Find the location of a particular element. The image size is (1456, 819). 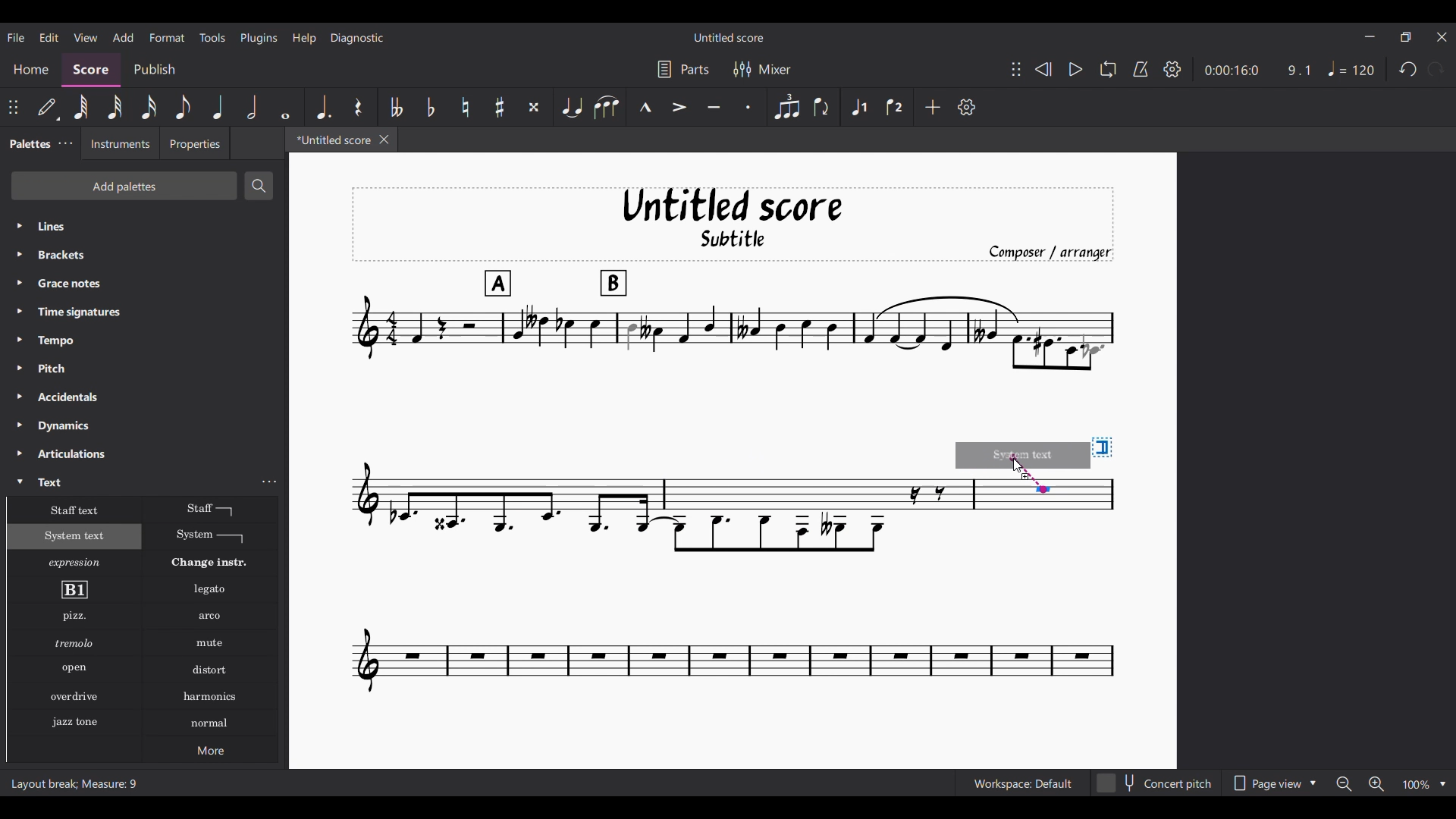

Dynamics is located at coordinates (144, 426).